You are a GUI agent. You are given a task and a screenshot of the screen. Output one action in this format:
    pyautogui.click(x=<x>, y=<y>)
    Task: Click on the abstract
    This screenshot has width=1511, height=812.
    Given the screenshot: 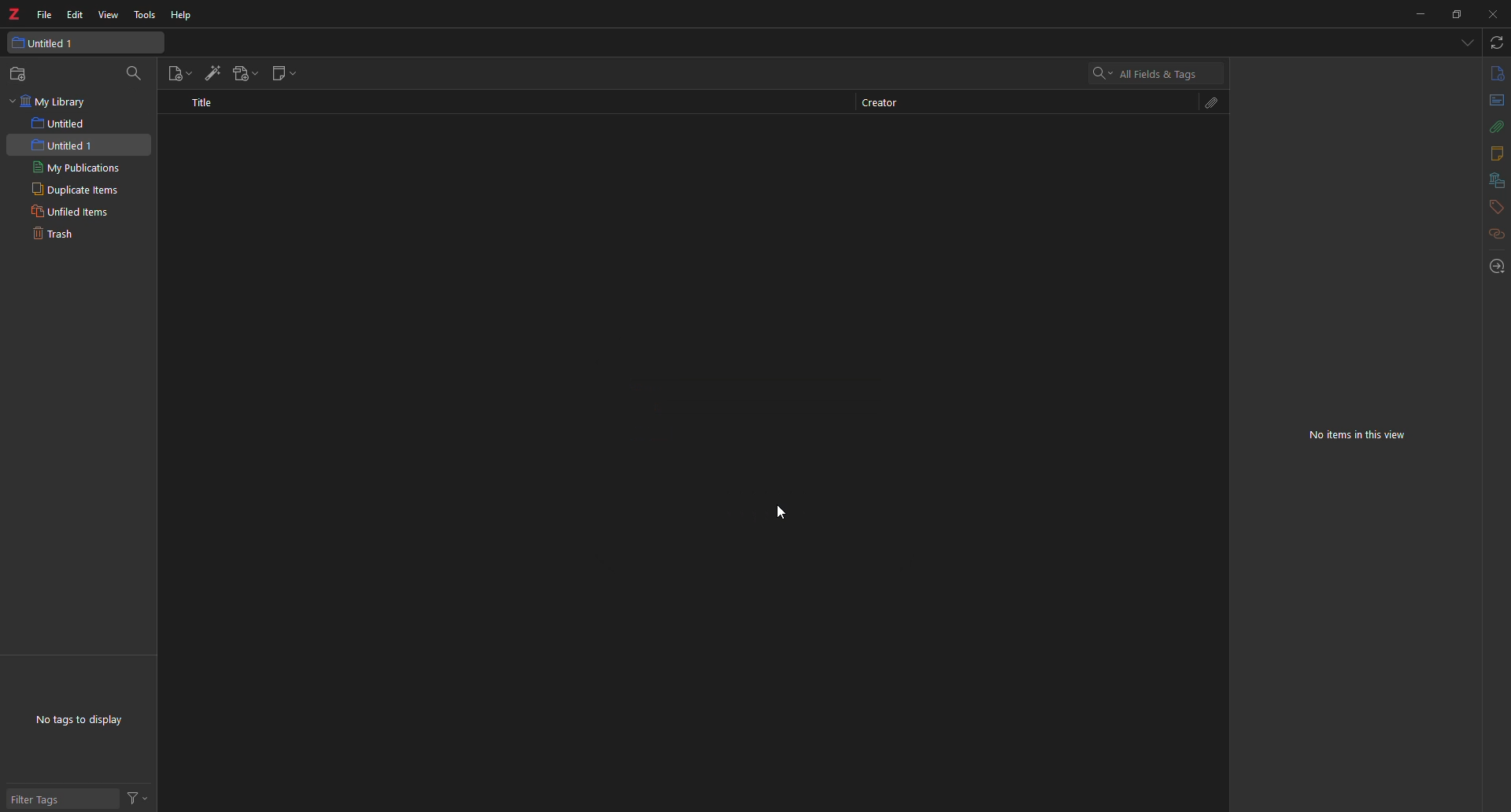 What is the action you would take?
    pyautogui.click(x=1492, y=102)
    